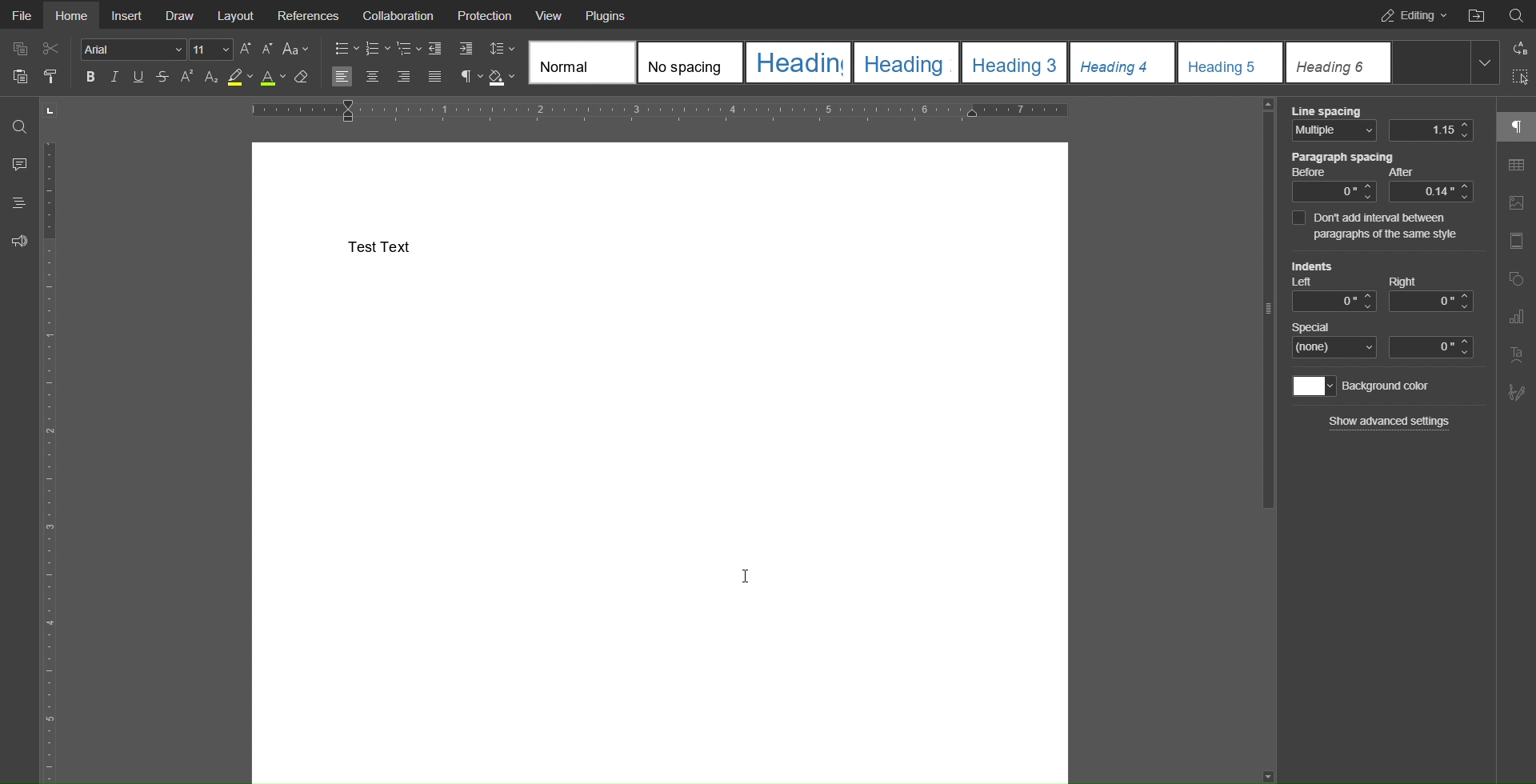  I want to click on Home, so click(70, 15).